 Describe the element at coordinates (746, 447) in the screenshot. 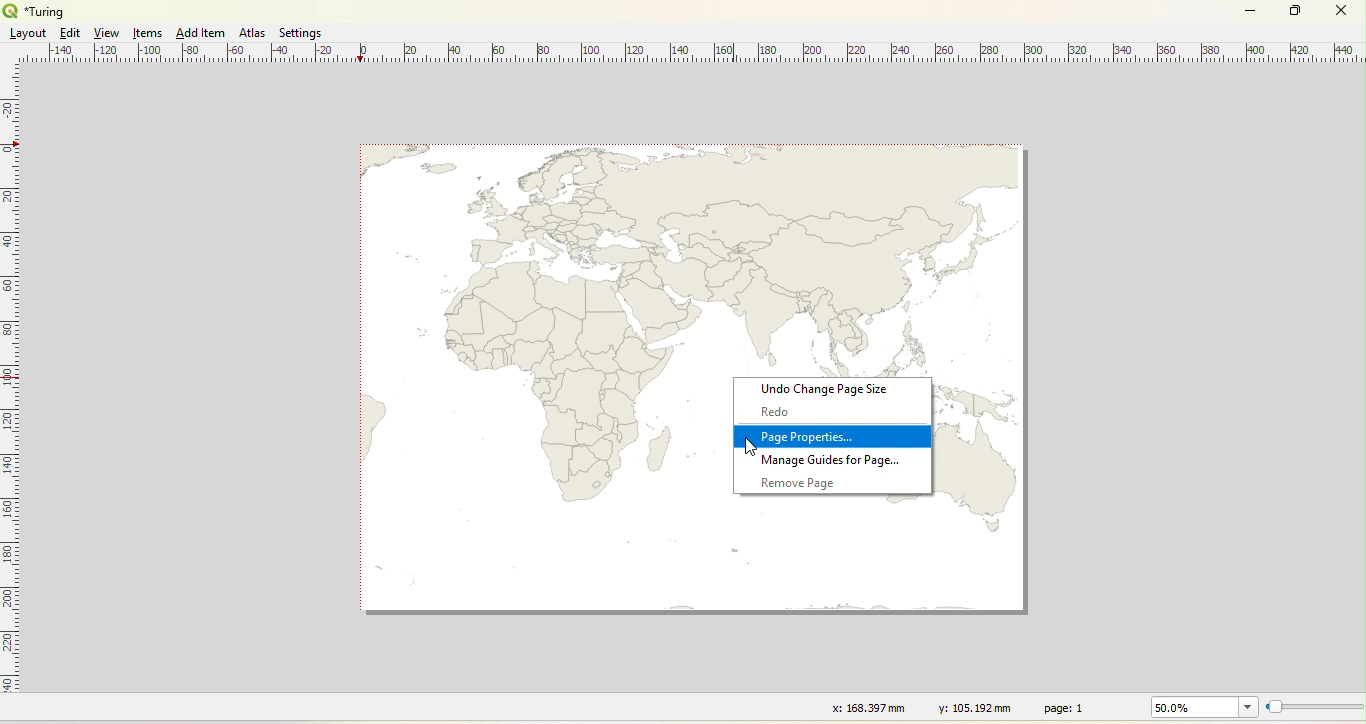

I see `cursor` at that location.